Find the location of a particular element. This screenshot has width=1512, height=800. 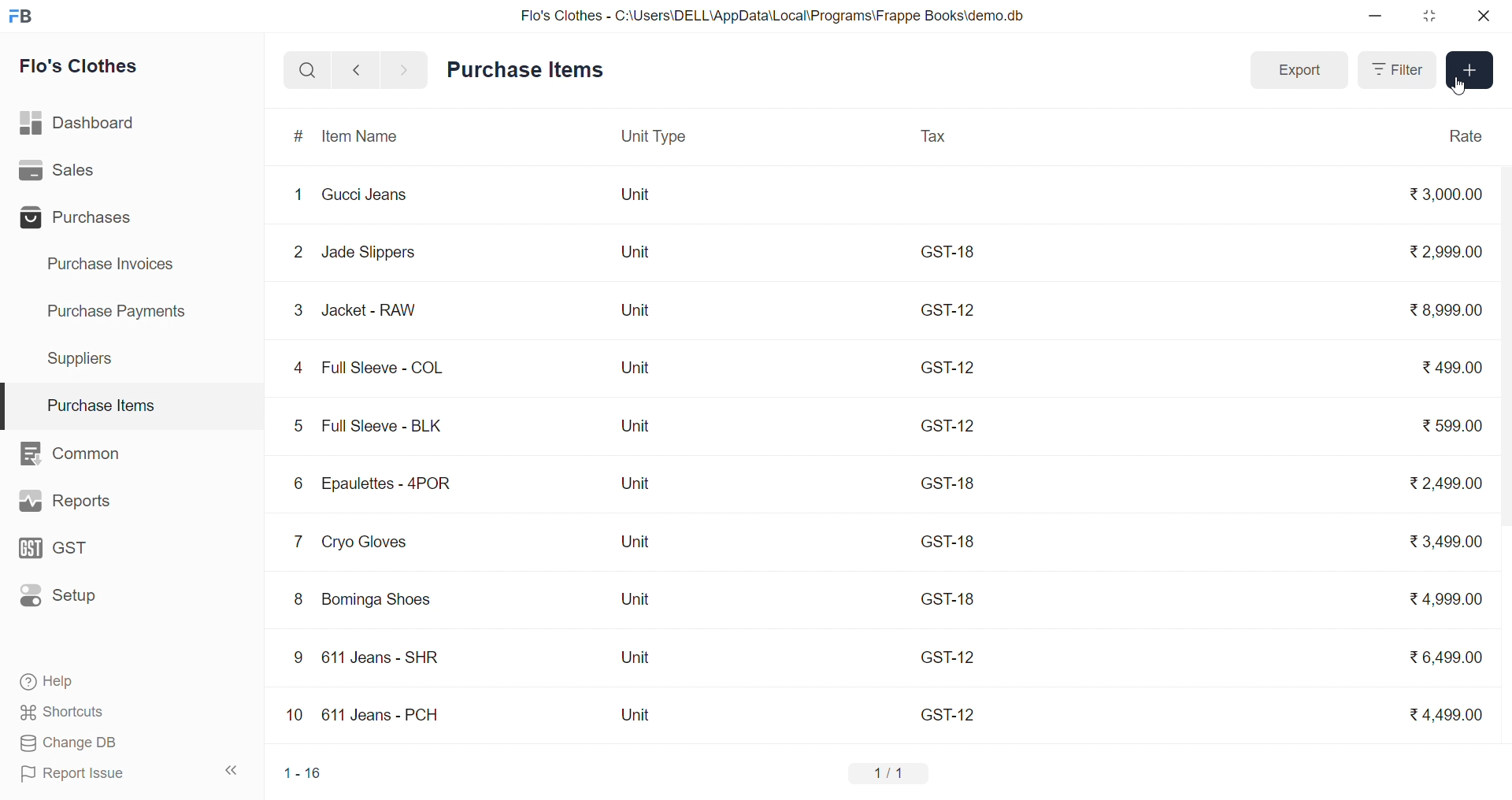

Change DB is located at coordinates (124, 743).